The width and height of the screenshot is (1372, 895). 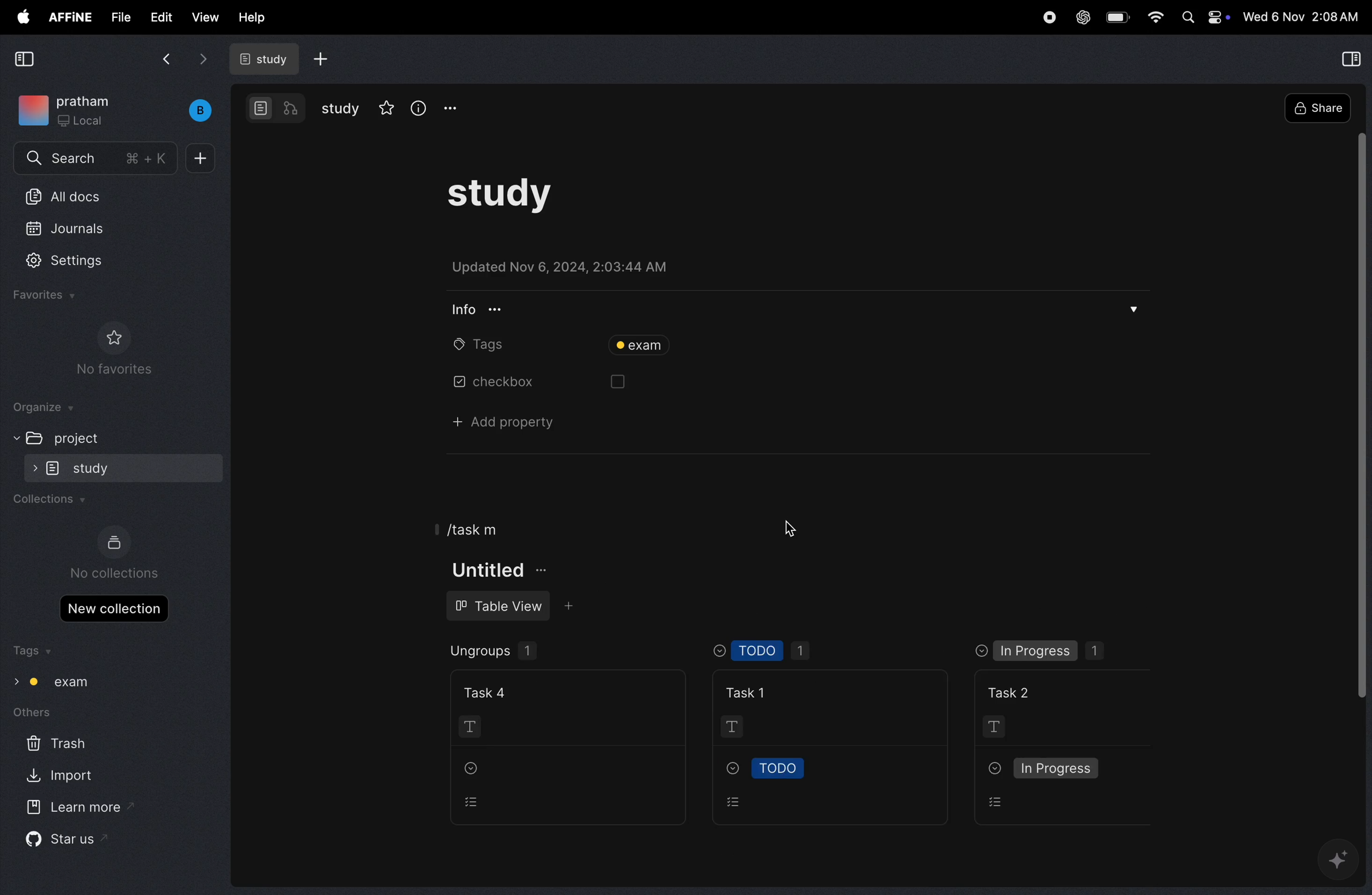 What do you see at coordinates (457, 108) in the screenshot?
I see `options` at bounding box center [457, 108].